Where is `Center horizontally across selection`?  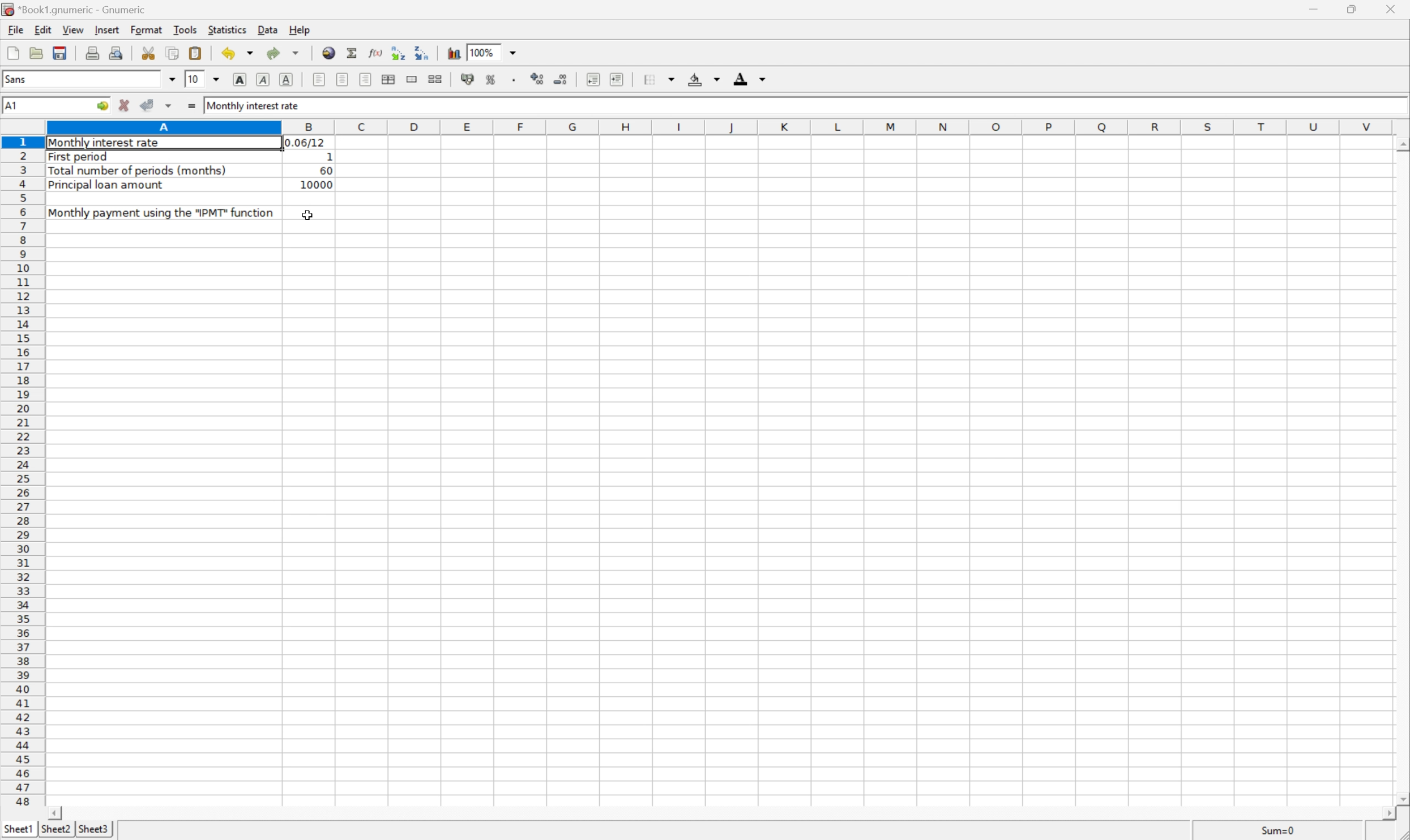 Center horizontally across selection is located at coordinates (390, 80).